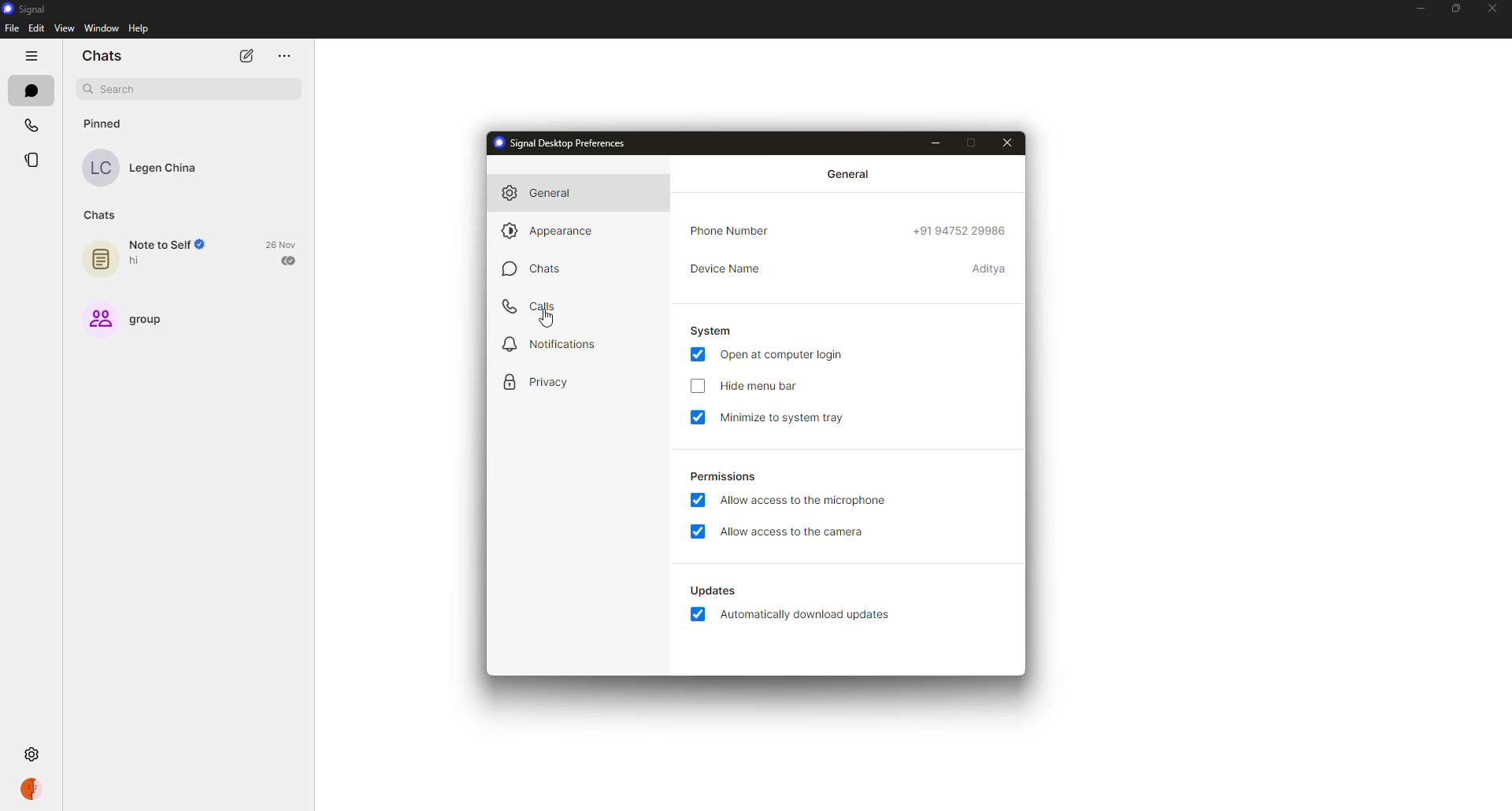  Describe the element at coordinates (124, 321) in the screenshot. I see `group` at that location.